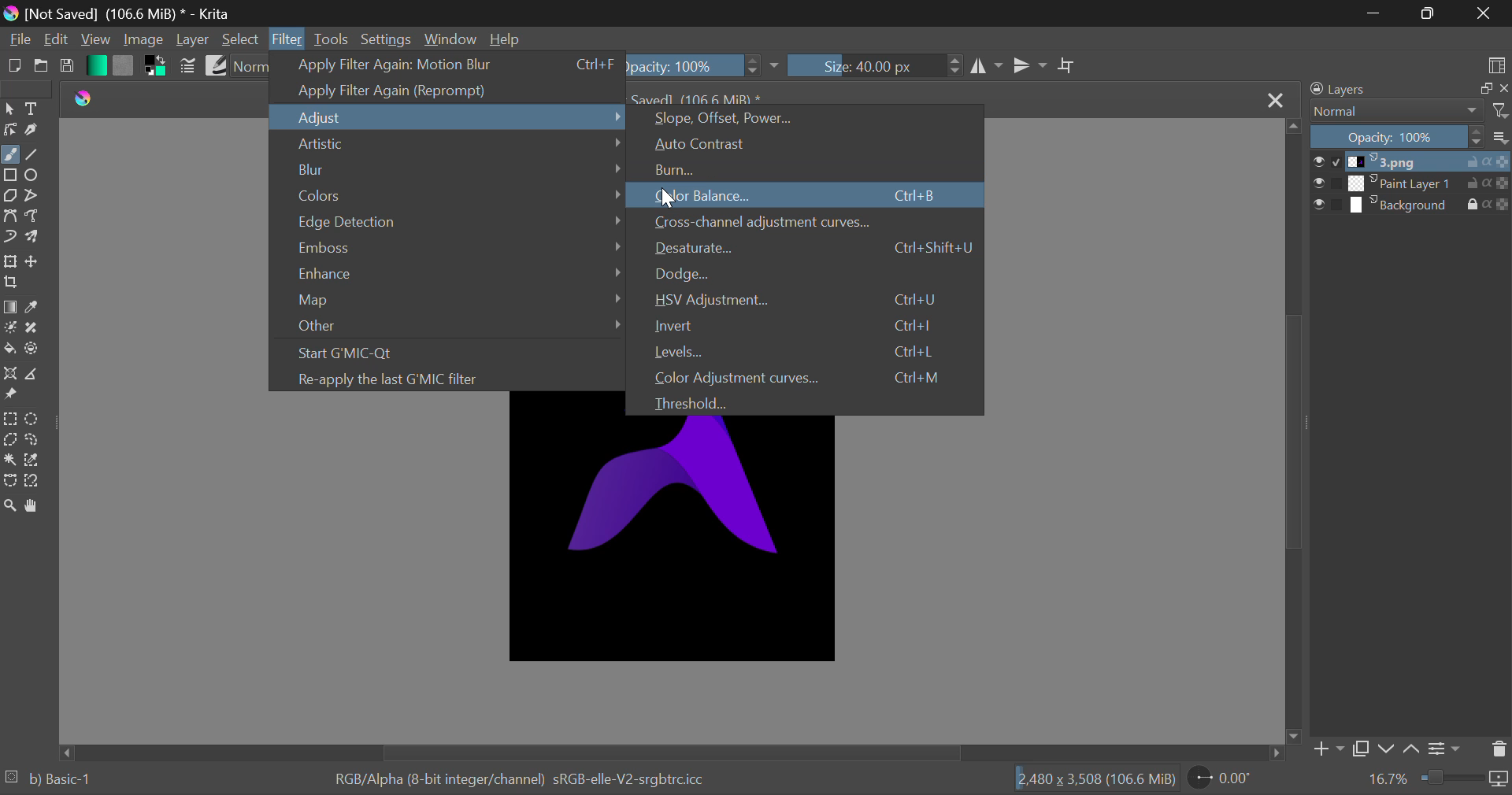  Describe the element at coordinates (458, 379) in the screenshot. I see `Re-apply the last GMIC filter` at that location.